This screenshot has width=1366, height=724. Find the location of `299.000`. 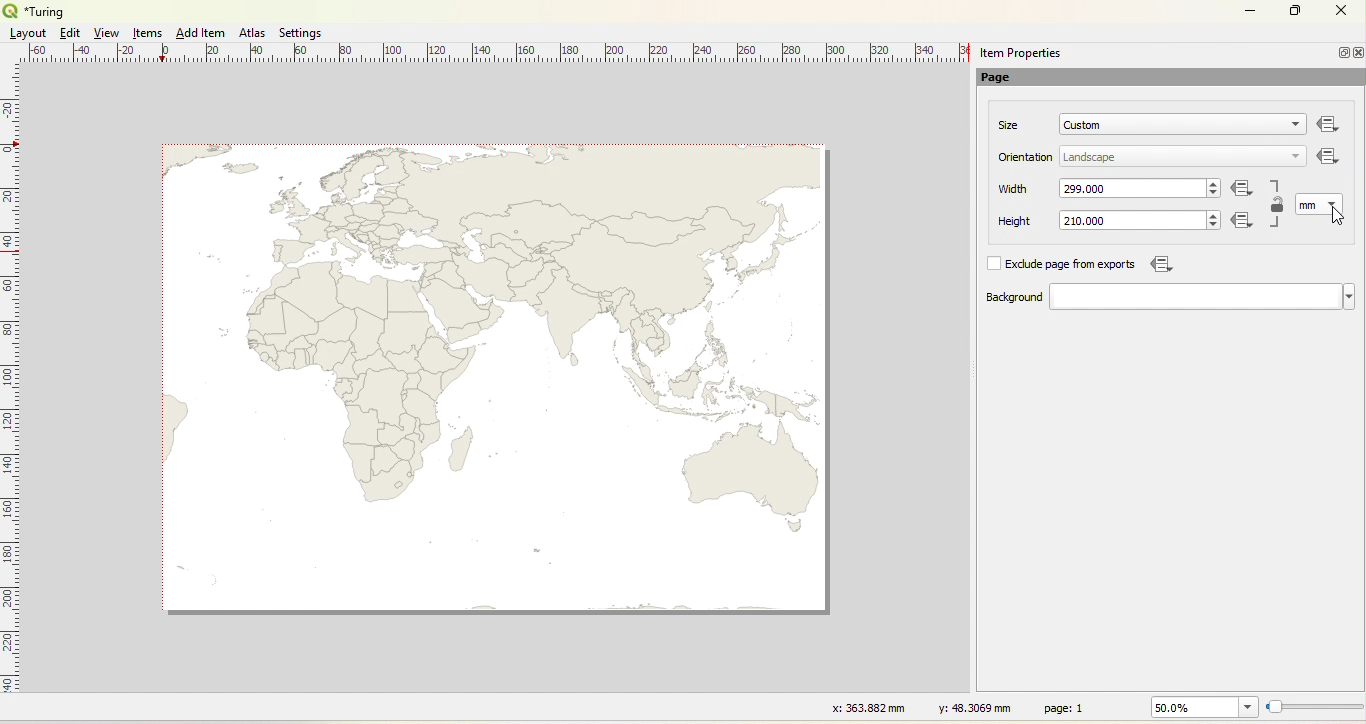

299.000 is located at coordinates (1088, 188).